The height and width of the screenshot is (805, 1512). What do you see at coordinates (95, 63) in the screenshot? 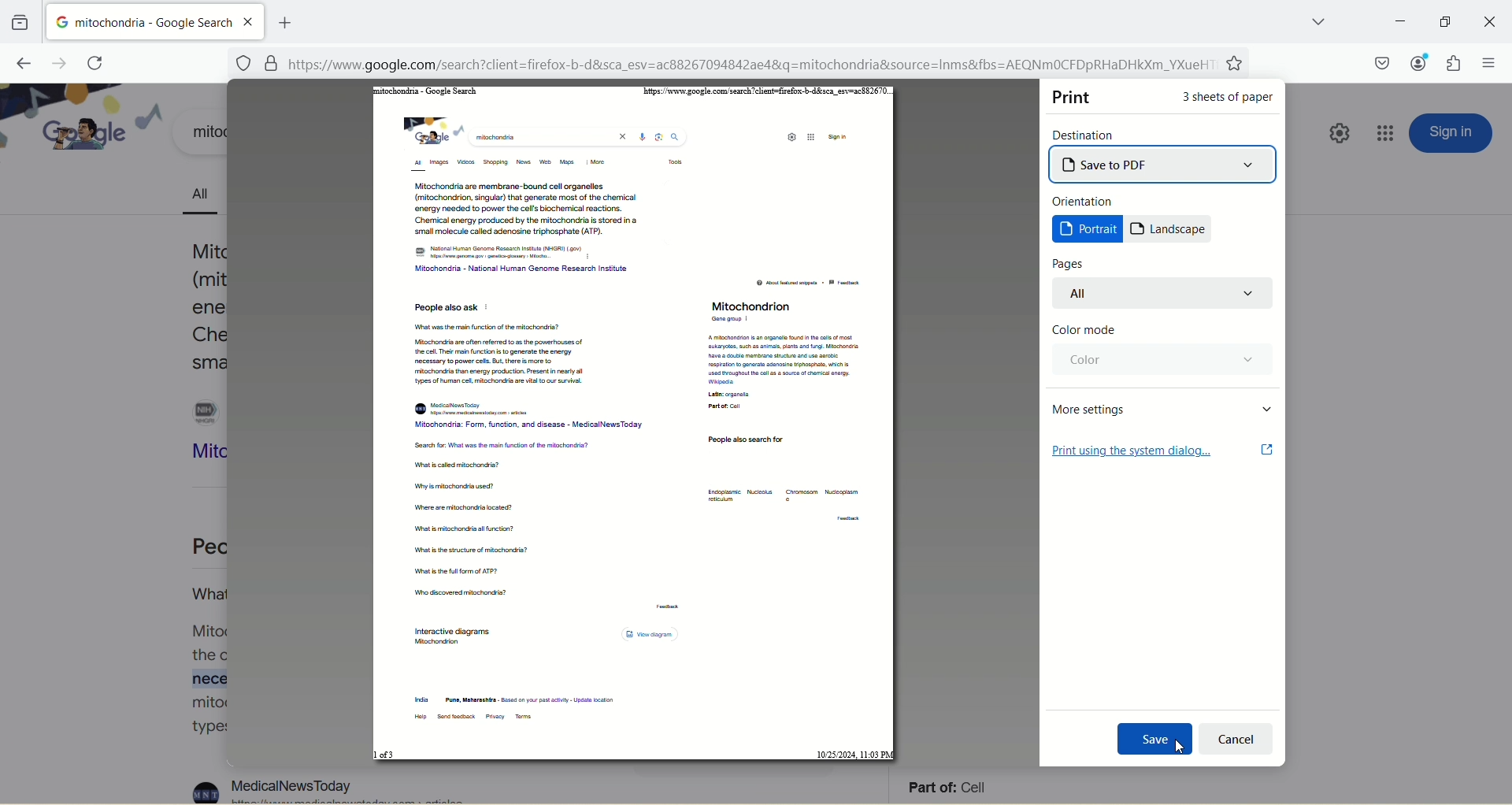
I see `reload current page` at bounding box center [95, 63].